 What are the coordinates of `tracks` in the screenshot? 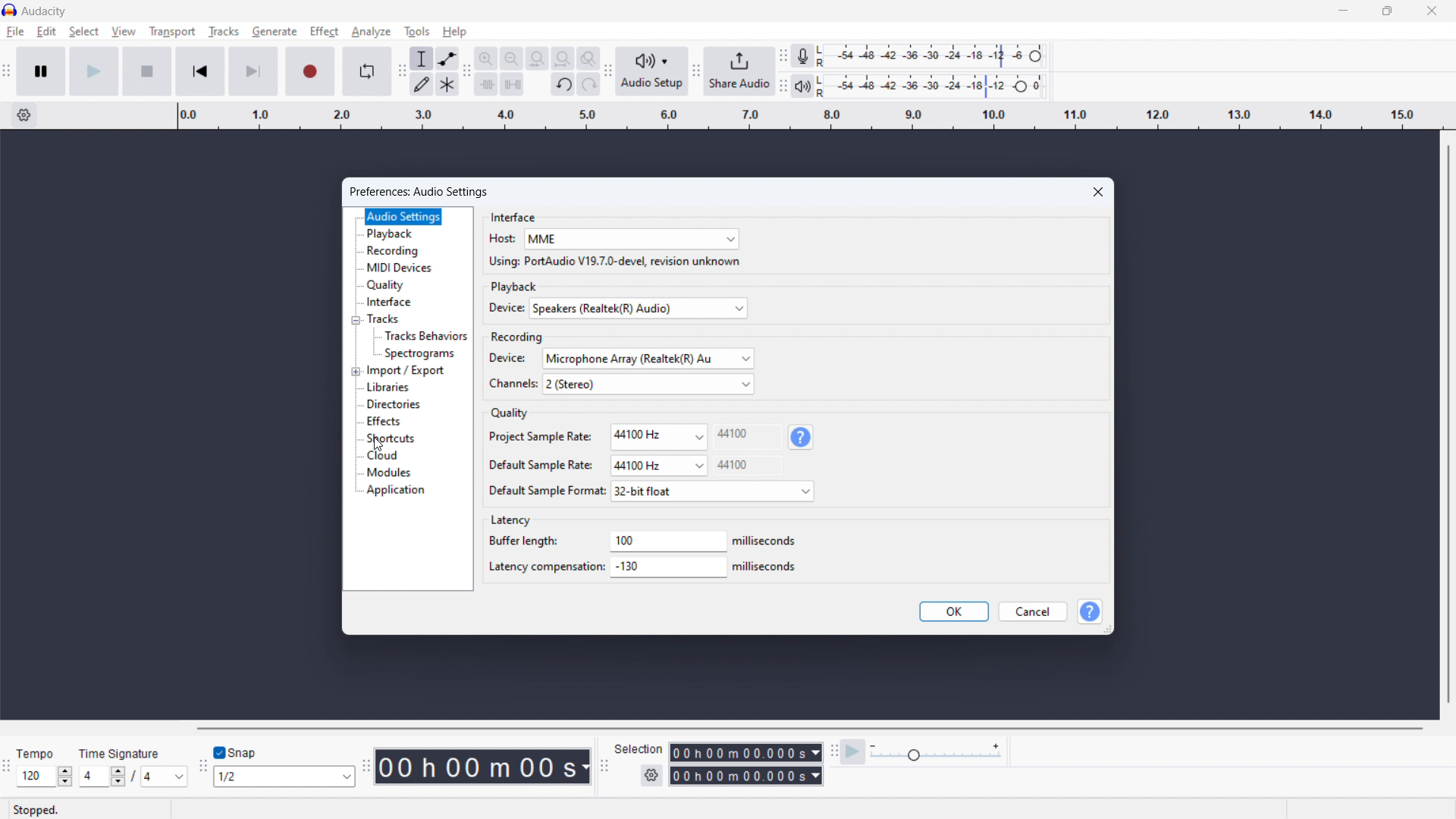 It's located at (224, 31).